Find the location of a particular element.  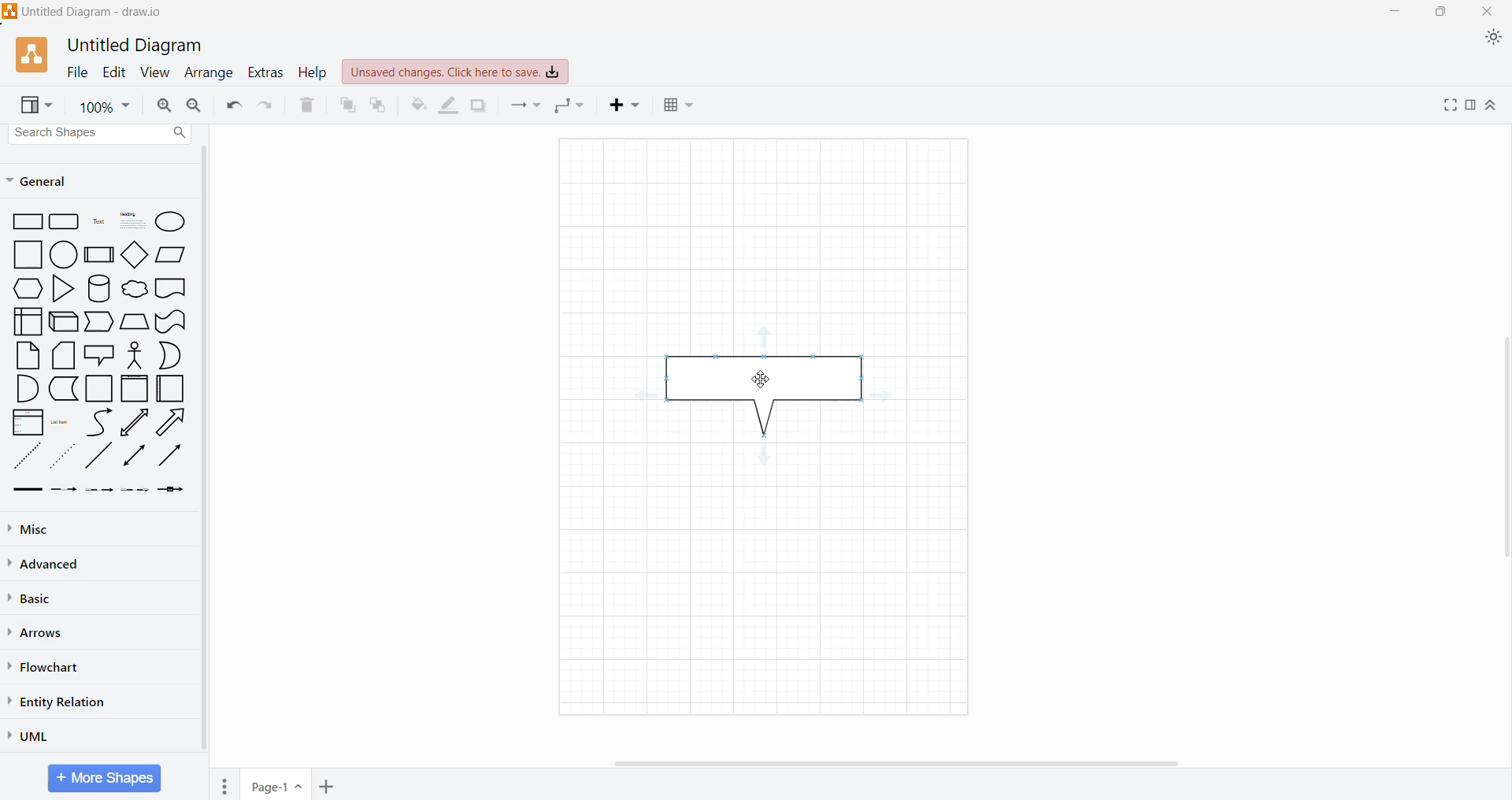

Zoom in is located at coordinates (165, 106).